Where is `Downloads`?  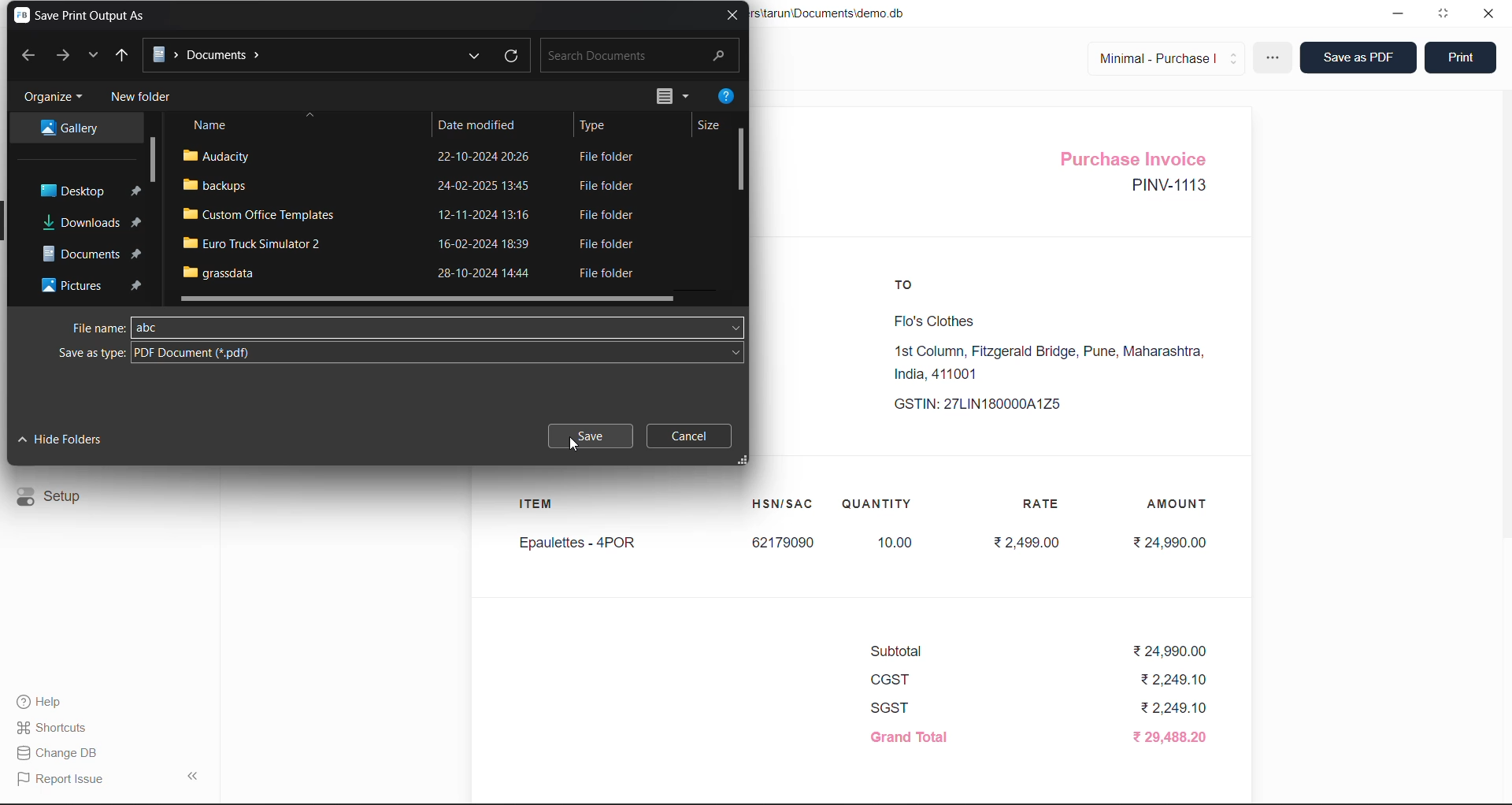 Downloads is located at coordinates (97, 221).